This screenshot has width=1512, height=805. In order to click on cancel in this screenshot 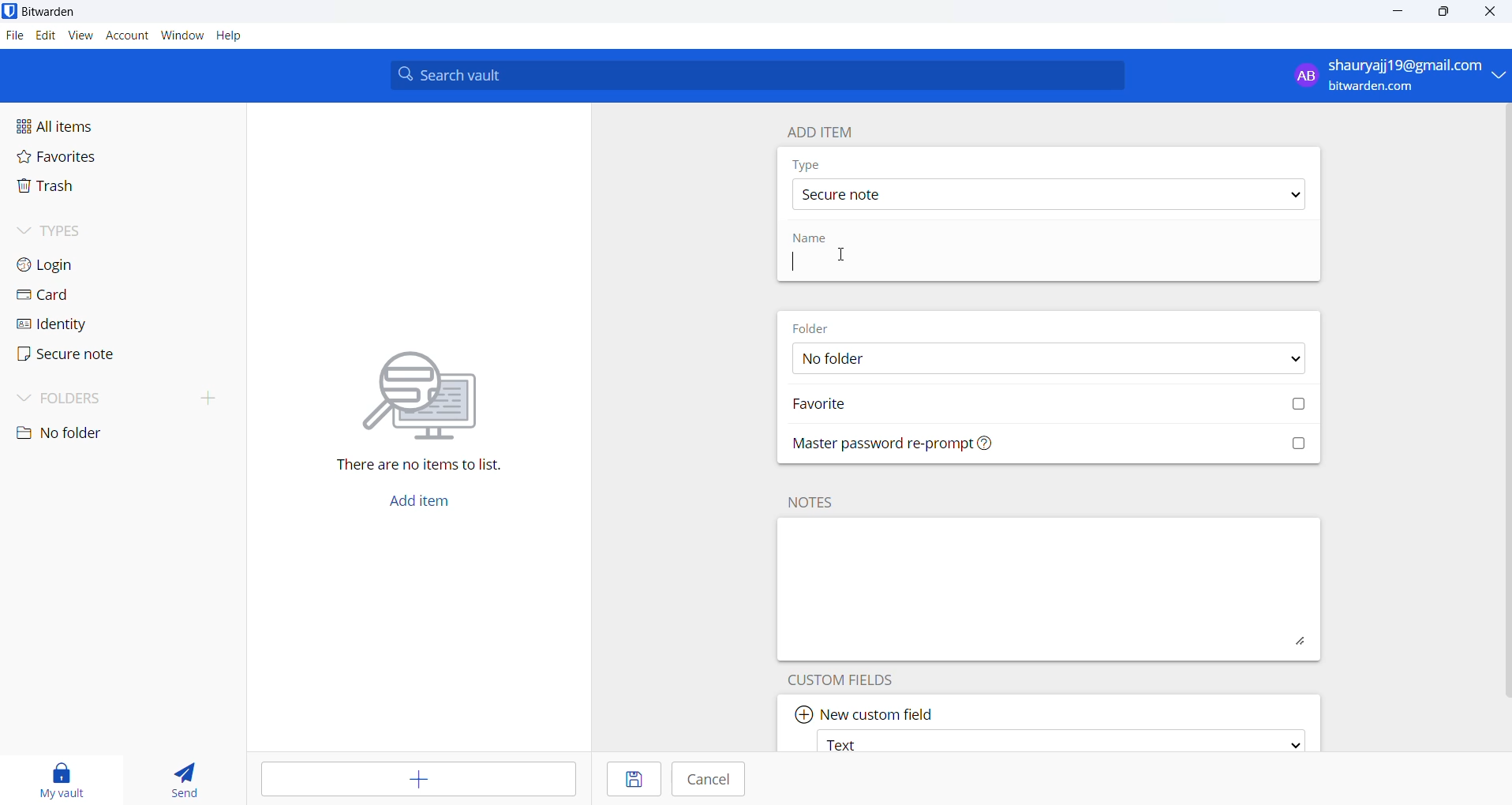, I will do `click(713, 781)`.